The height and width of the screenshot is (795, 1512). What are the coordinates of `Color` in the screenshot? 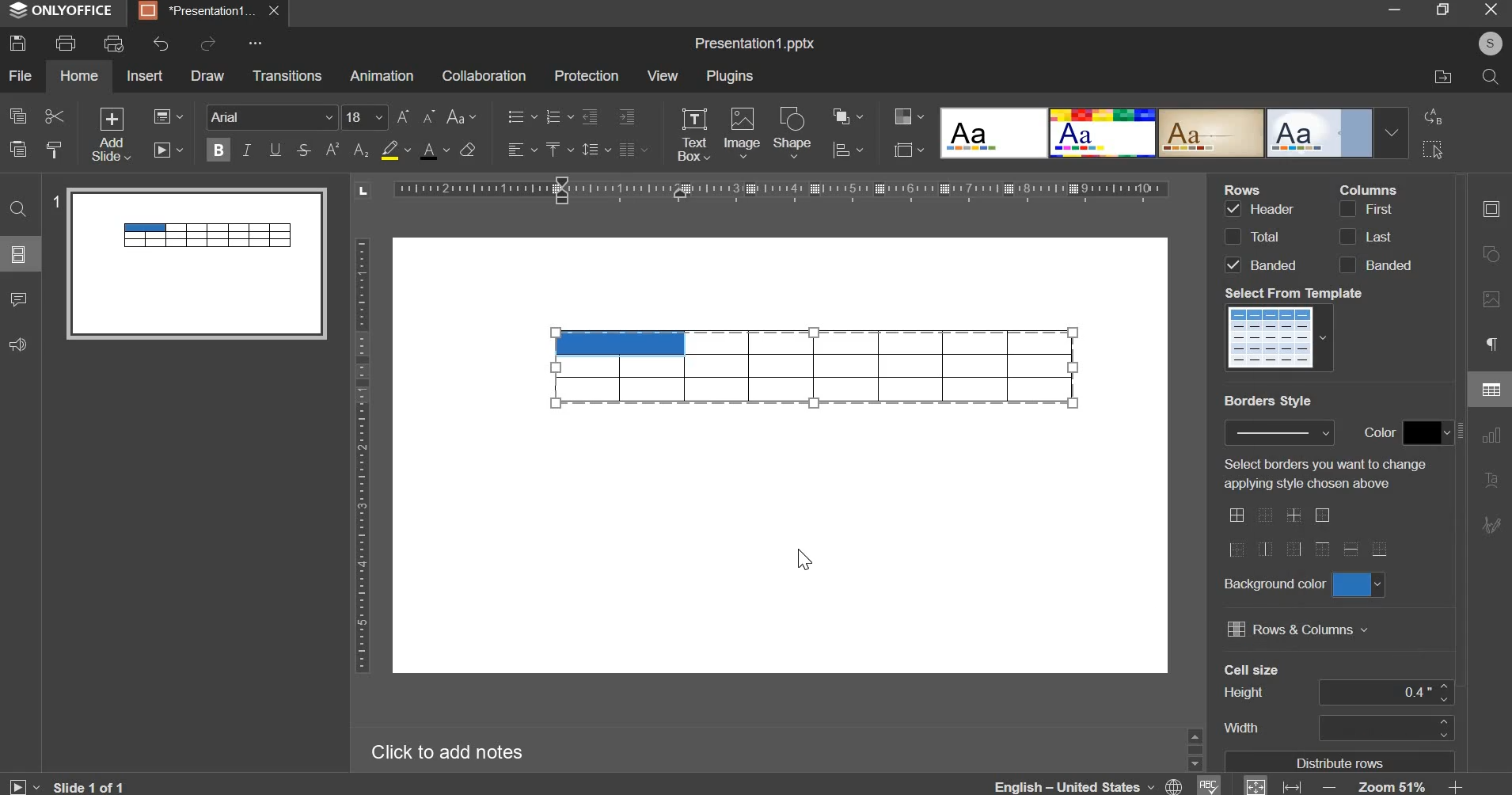 It's located at (1381, 432).